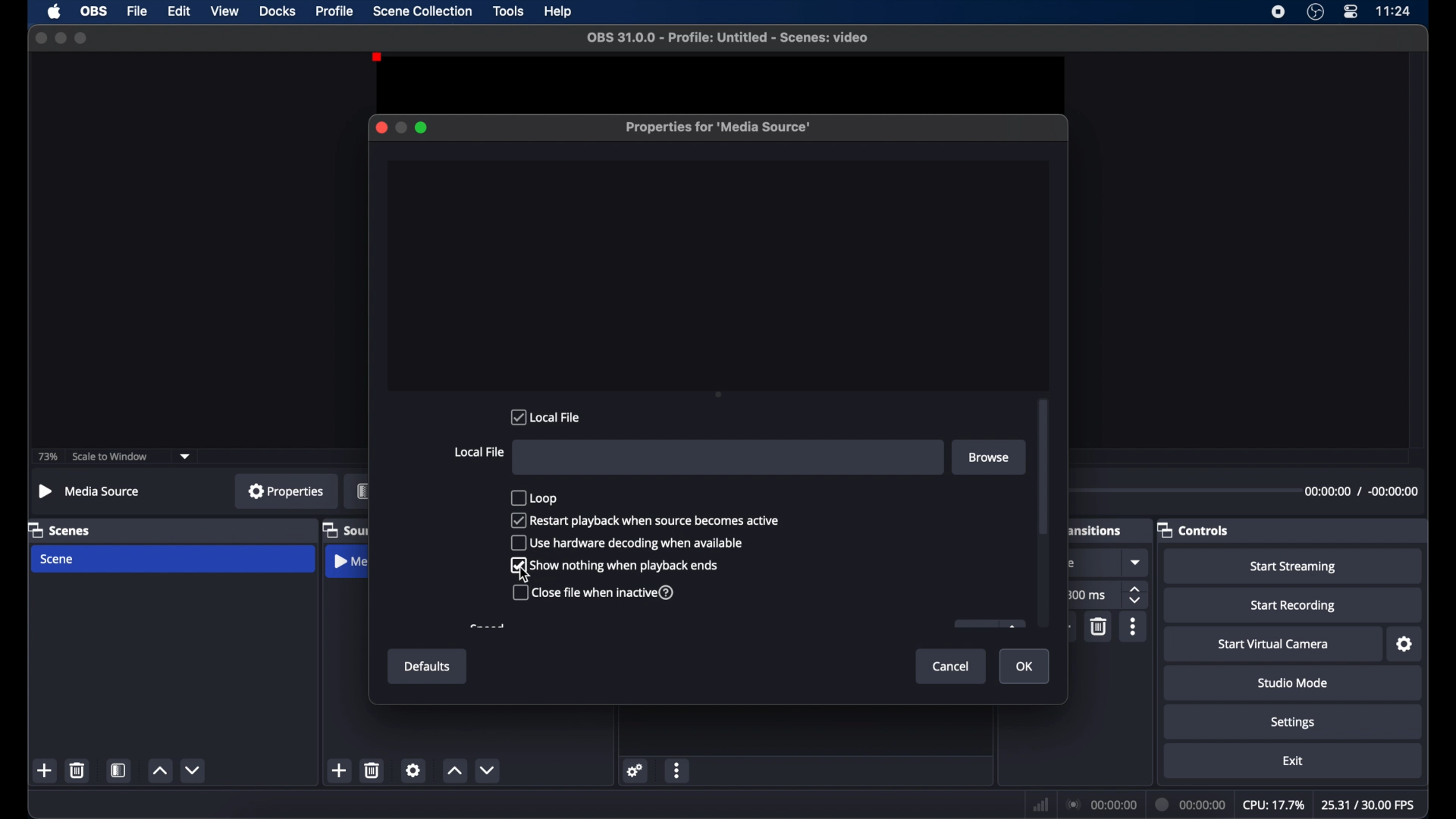 This screenshot has width=1456, height=819. I want to click on ok, so click(1025, 667).